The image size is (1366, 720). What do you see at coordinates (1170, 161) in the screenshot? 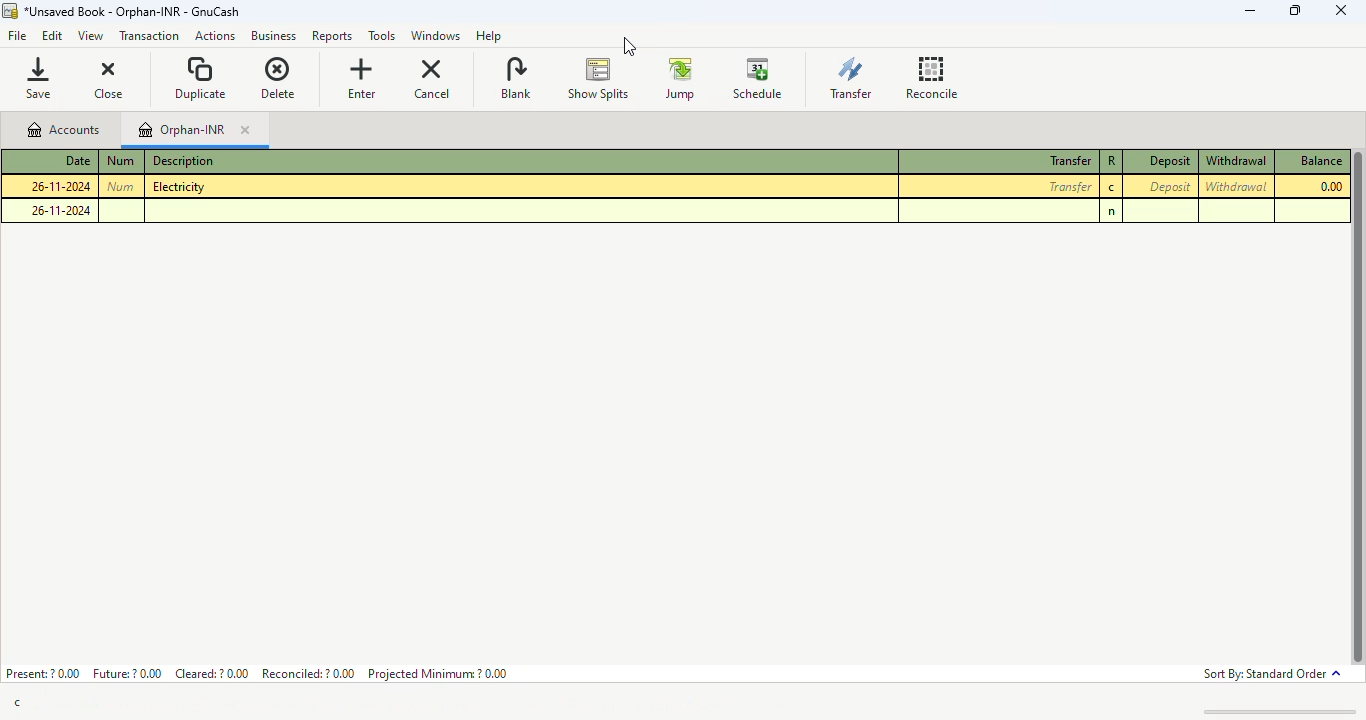
I see `deposit` at bounding box center [1170, 161].